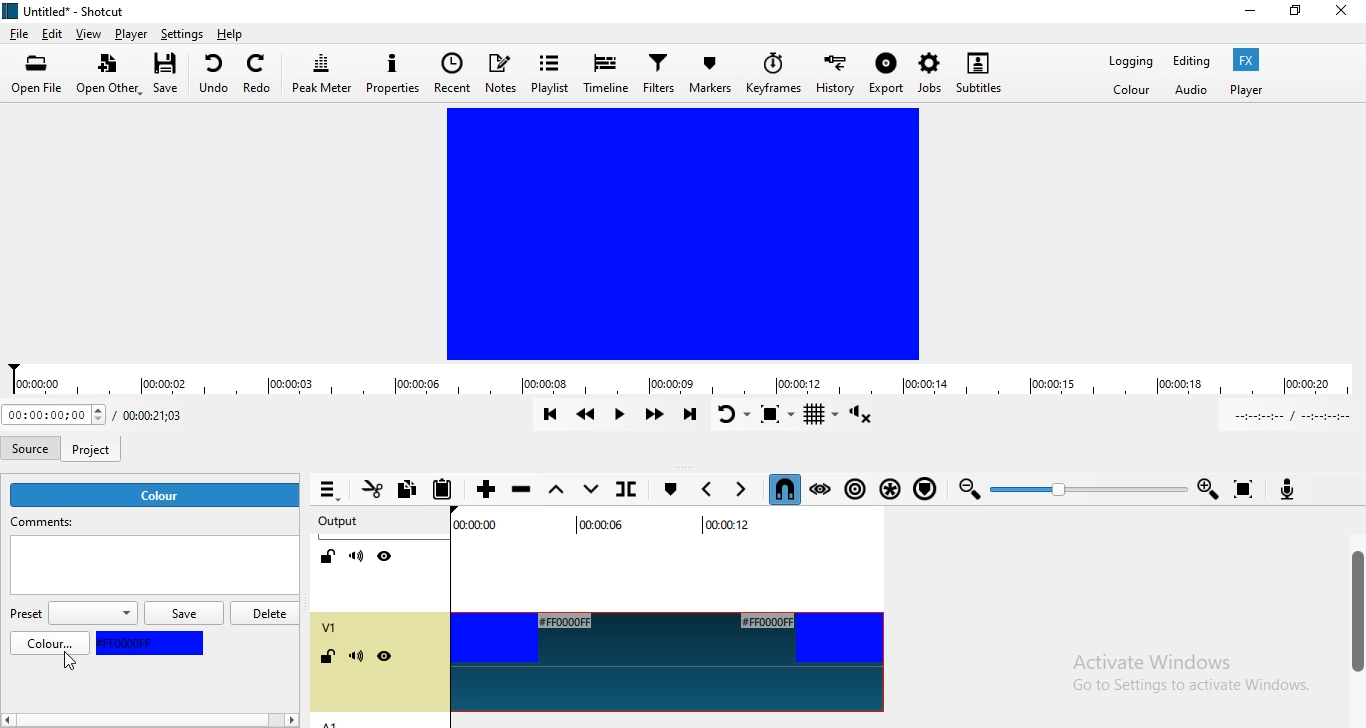 This screenshot has height=728, width=1366. Describe the element at coordinates (187, 615) in the screenshot. I see `save` at that location.